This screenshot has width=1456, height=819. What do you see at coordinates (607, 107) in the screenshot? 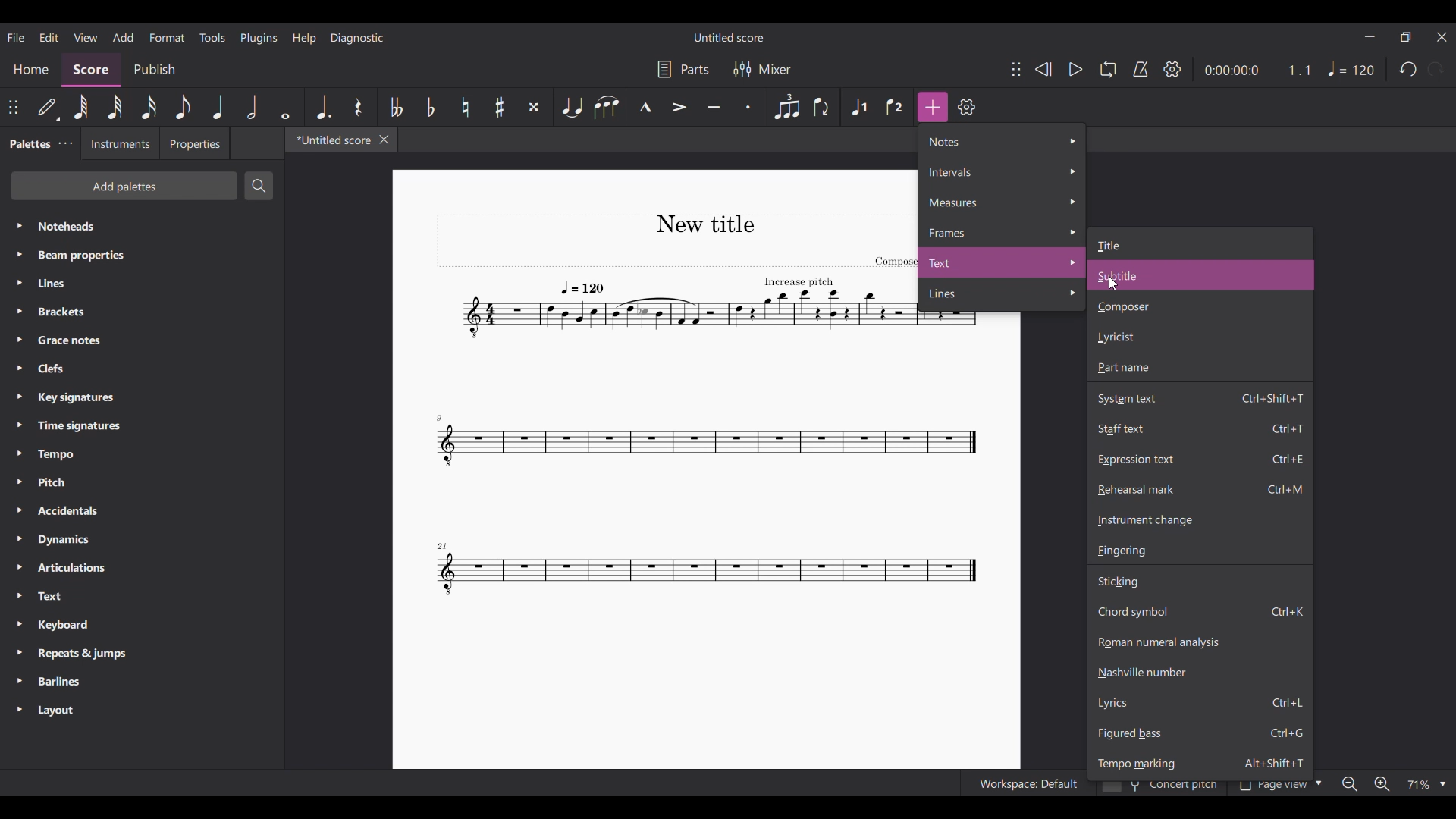
I see `Slur` at bounding box center [607, 107].